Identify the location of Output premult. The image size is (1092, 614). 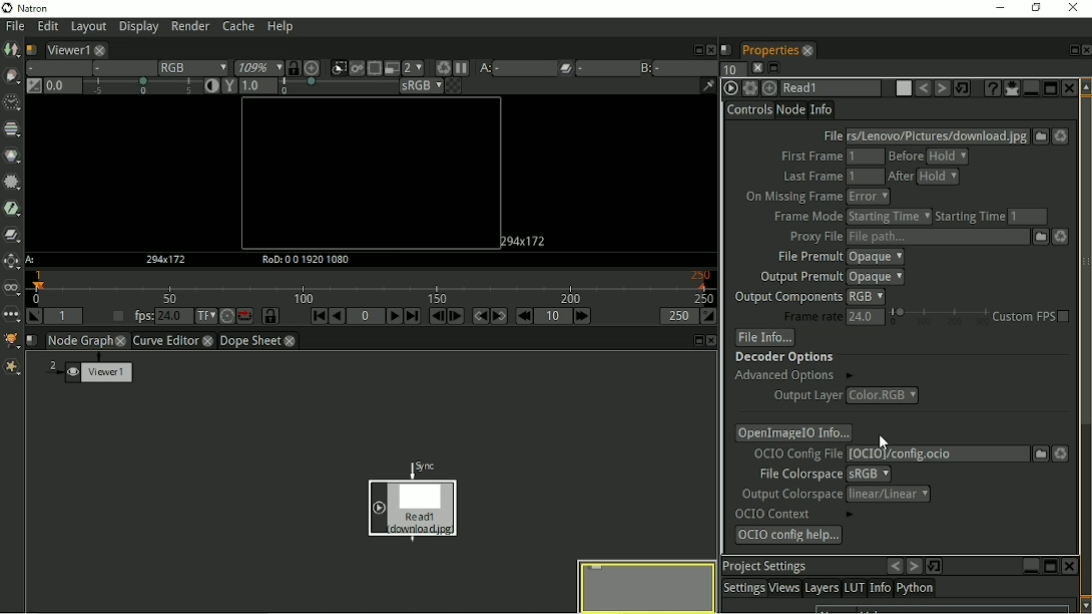
(832, 276).